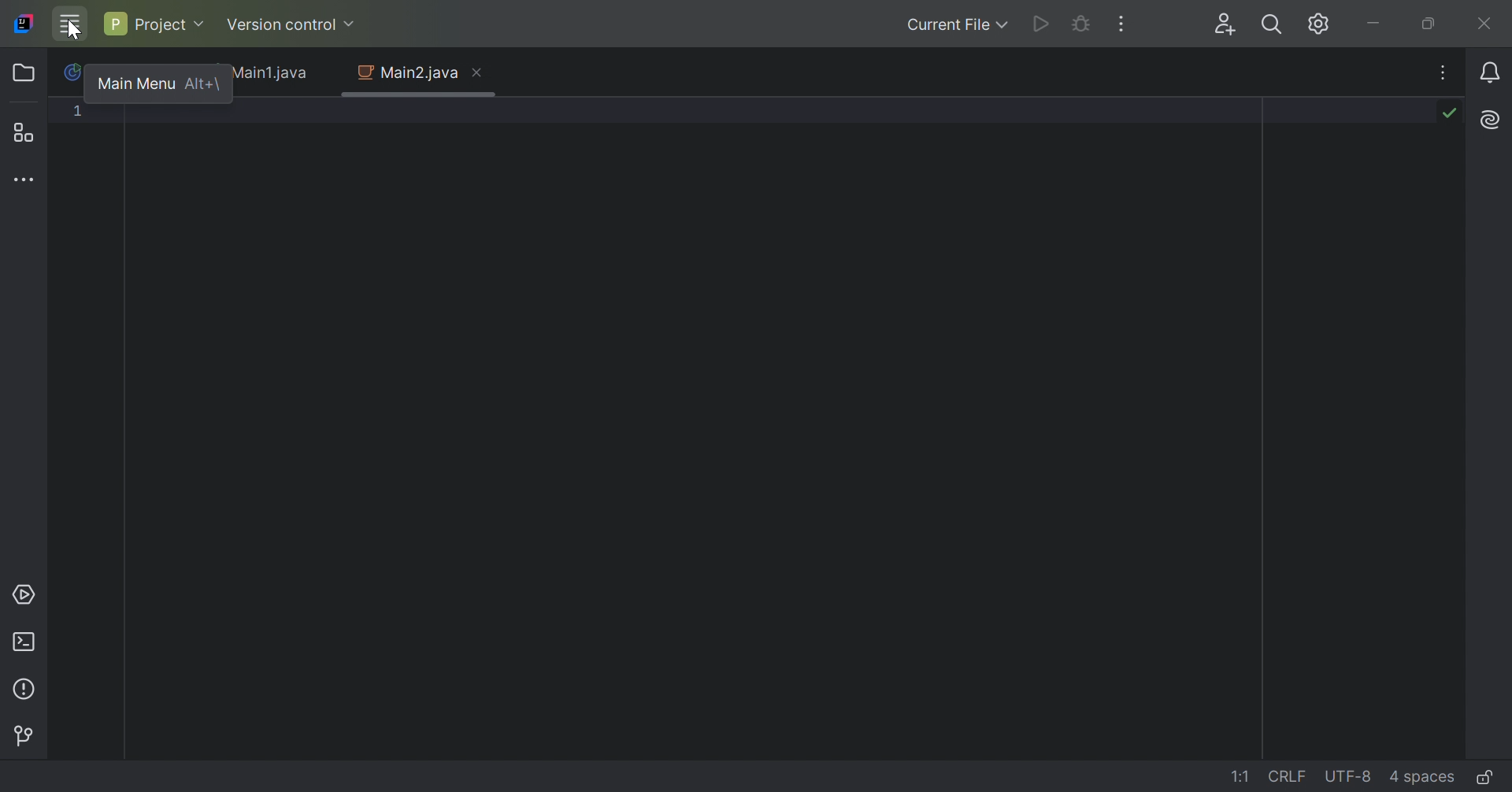 The width and height of the screenshot is (1512, 792). I want to click on UTF-8, so click(1349, 778).